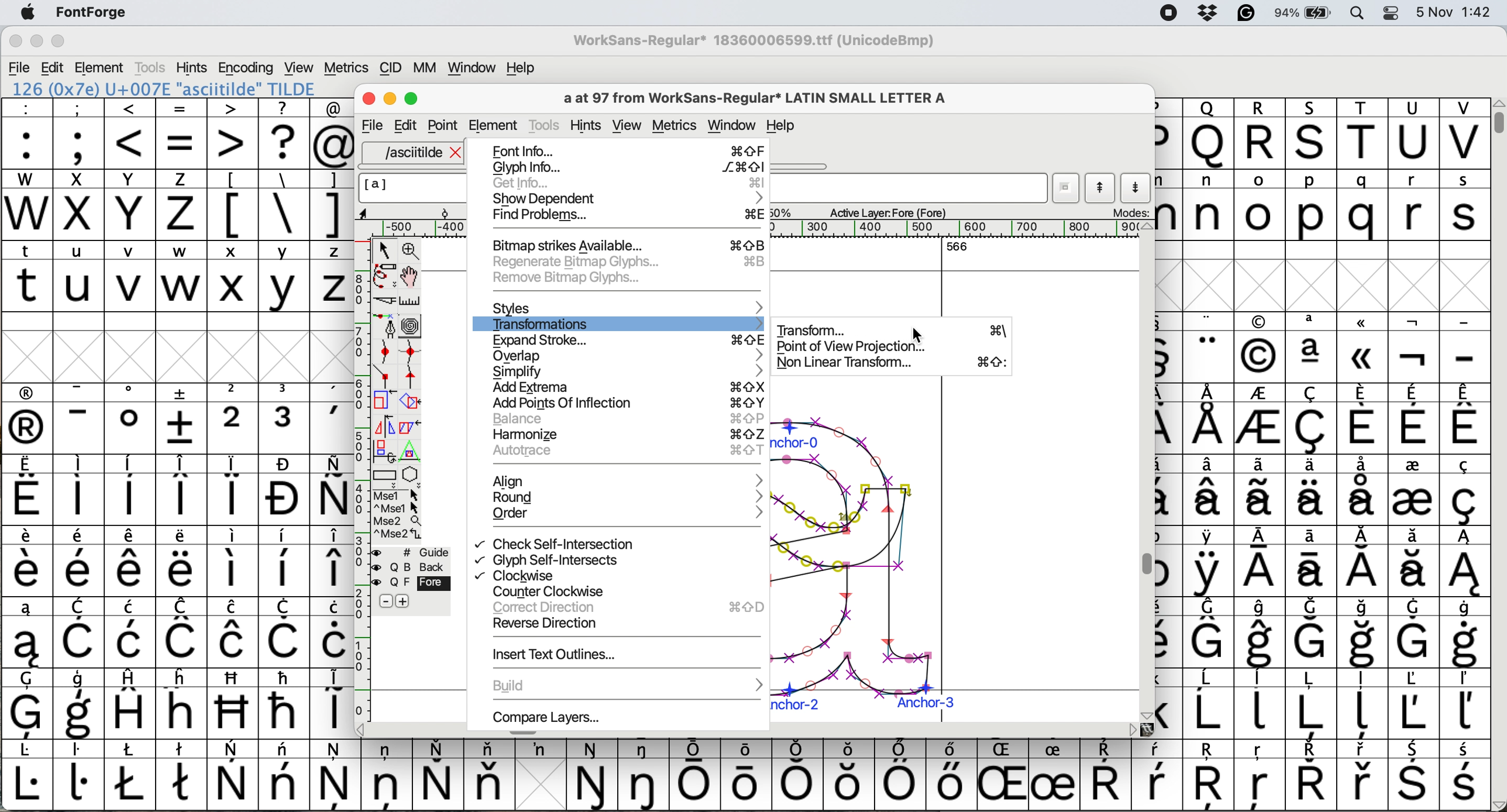  What do you see at coordinates (1167, 14) in the screenshot?
I see `screen recorder` at bounding box center [1167, 14].